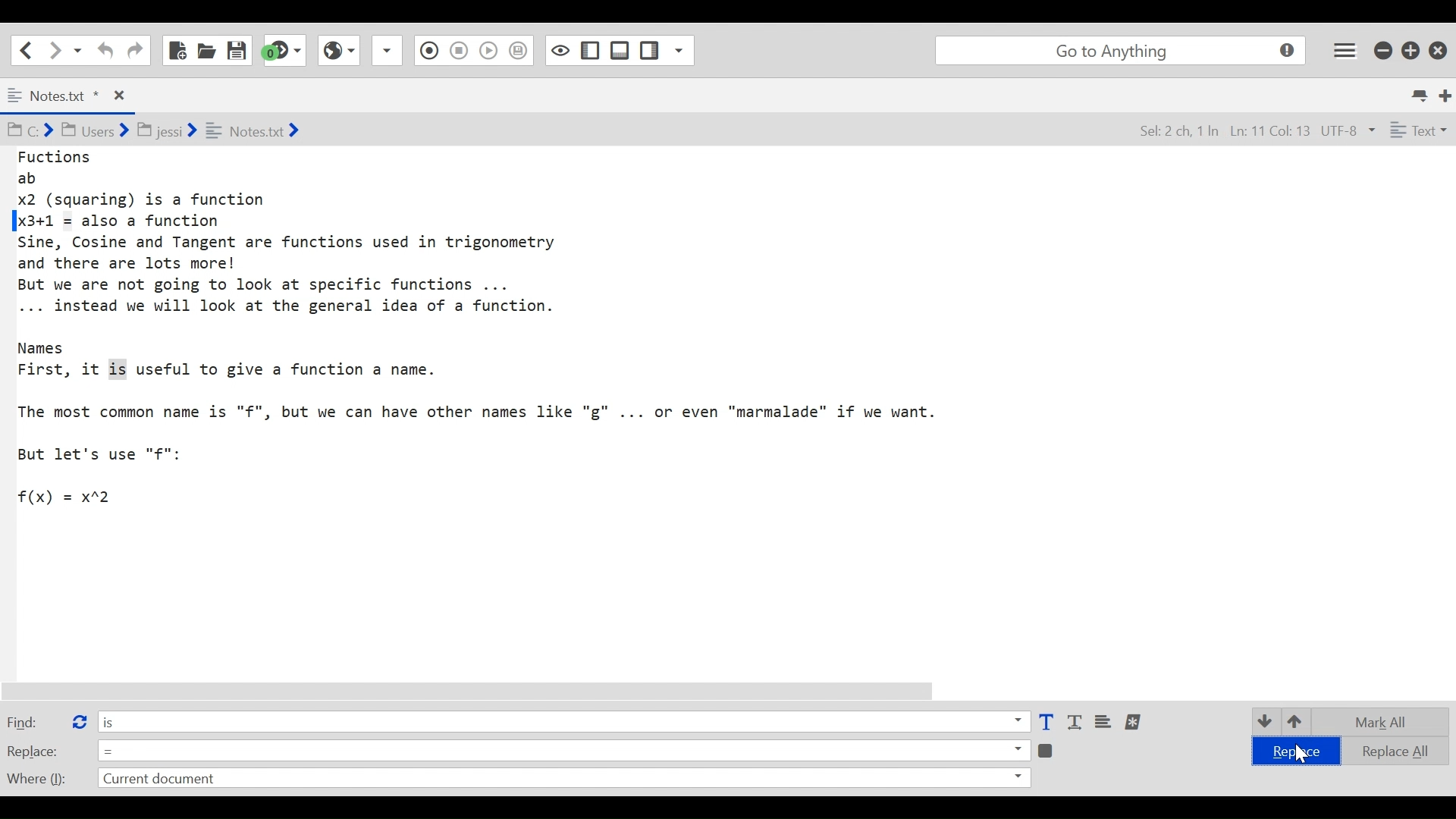 The image size is (1456, 819). What do you see at coordinates (33, 751) in the screenshot?
I see `Replace` at bounding box center [33, 751].